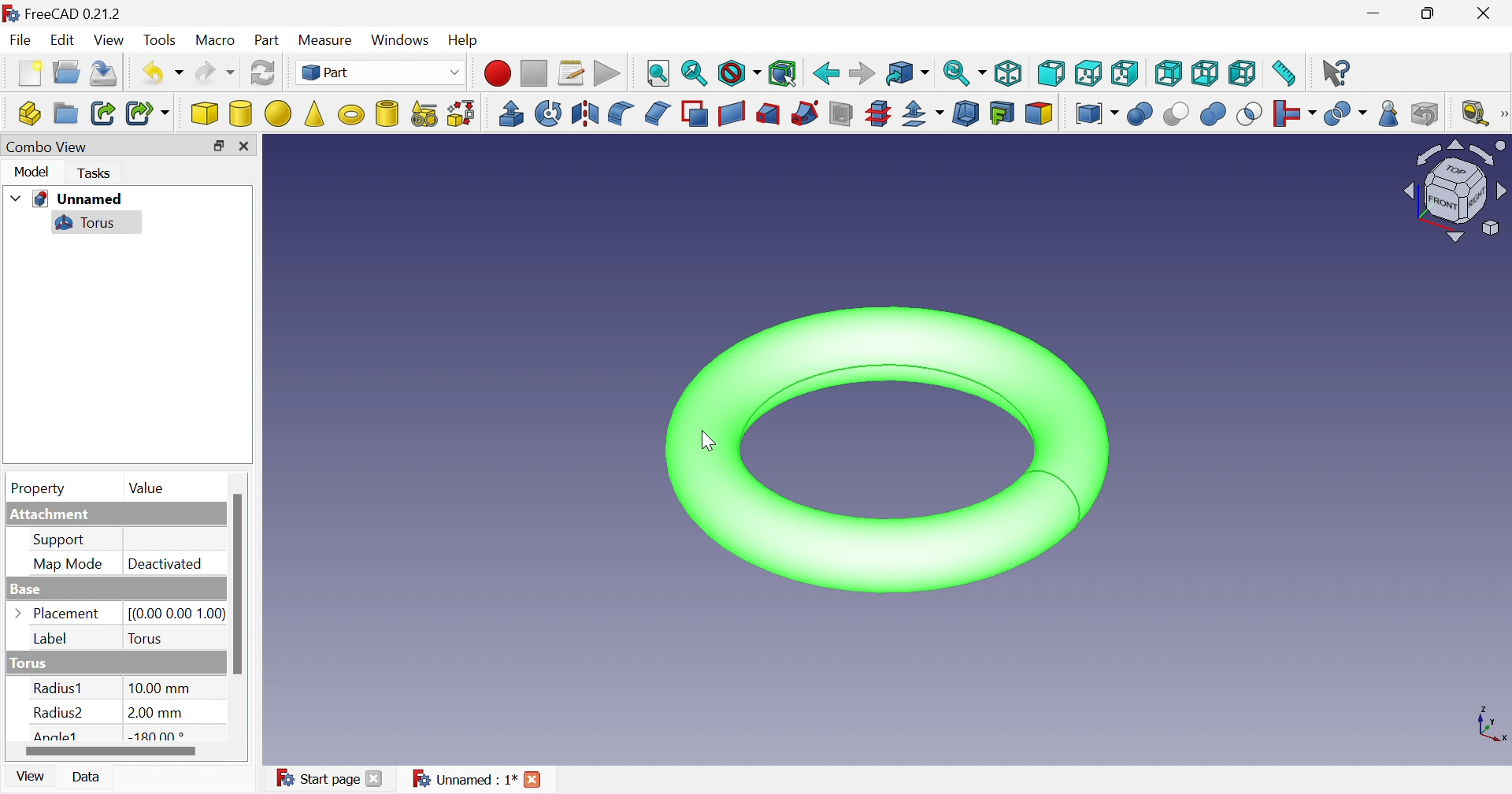 This screenshot has height=794, width=1512. What do you see at coordinates (1284, 72) in the screenshot?
I see `Measure distance` at bounding box center [1284, 72].